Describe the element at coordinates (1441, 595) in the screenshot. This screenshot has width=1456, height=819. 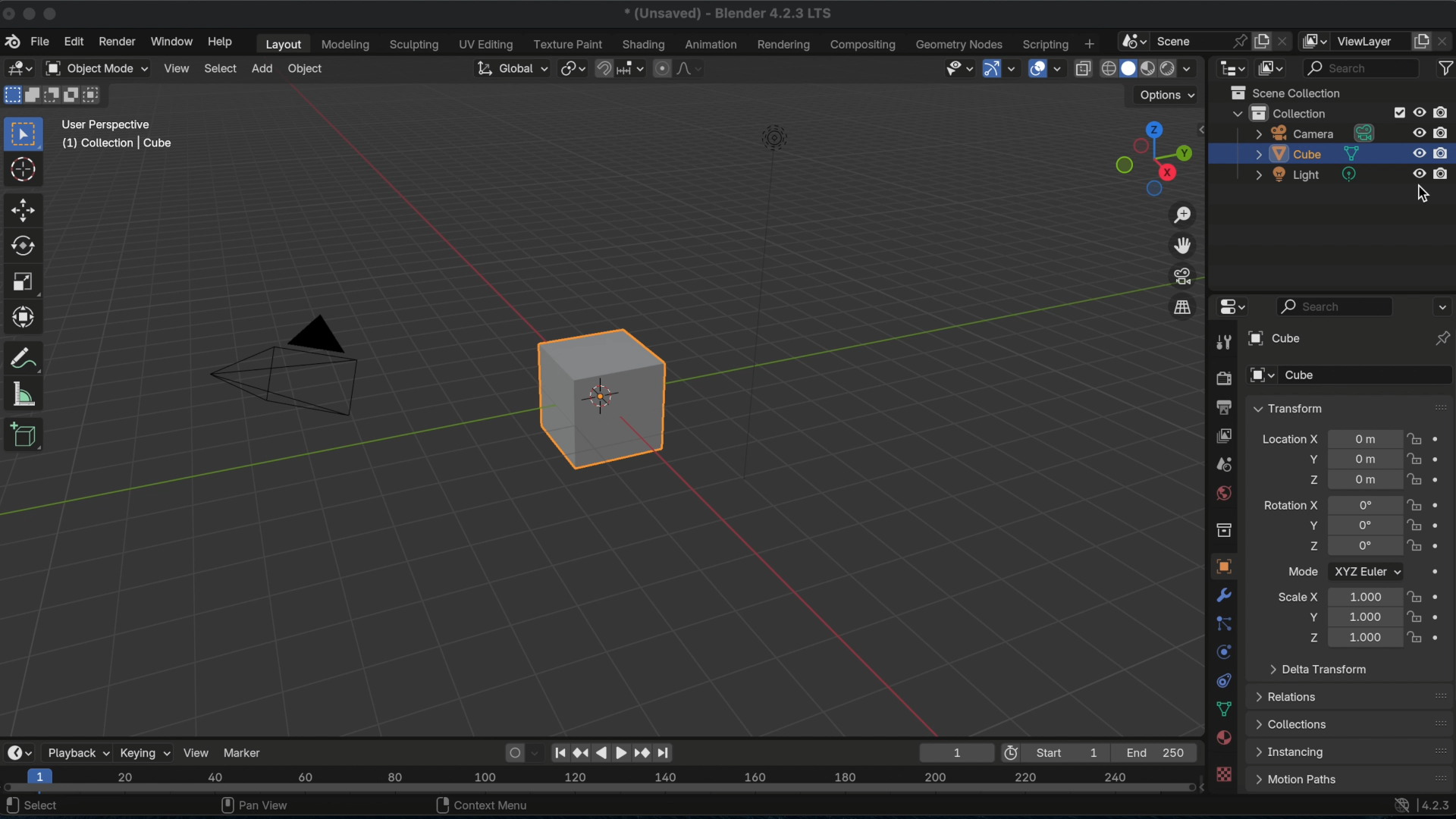
I see `animate property` at that location.